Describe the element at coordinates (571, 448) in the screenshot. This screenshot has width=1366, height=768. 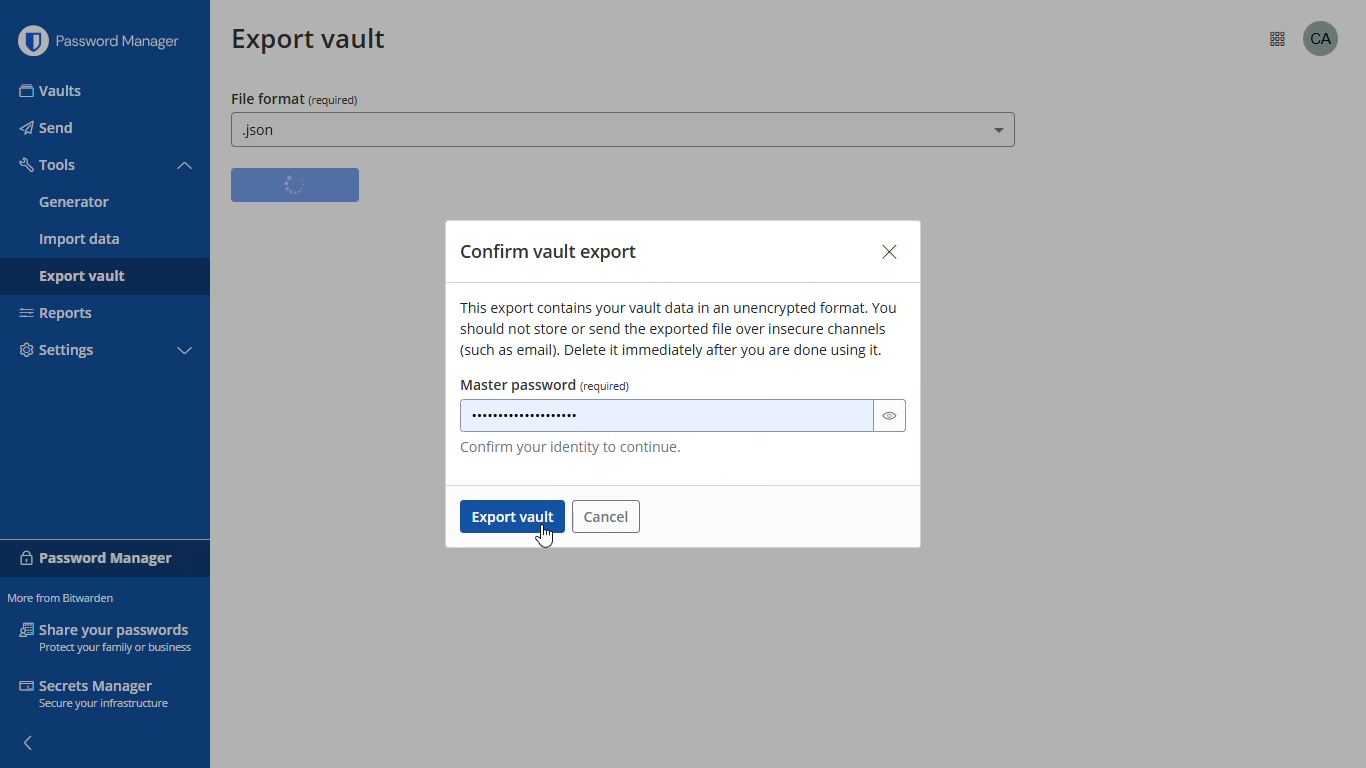
I see `confirm your identity to continue` at that location.